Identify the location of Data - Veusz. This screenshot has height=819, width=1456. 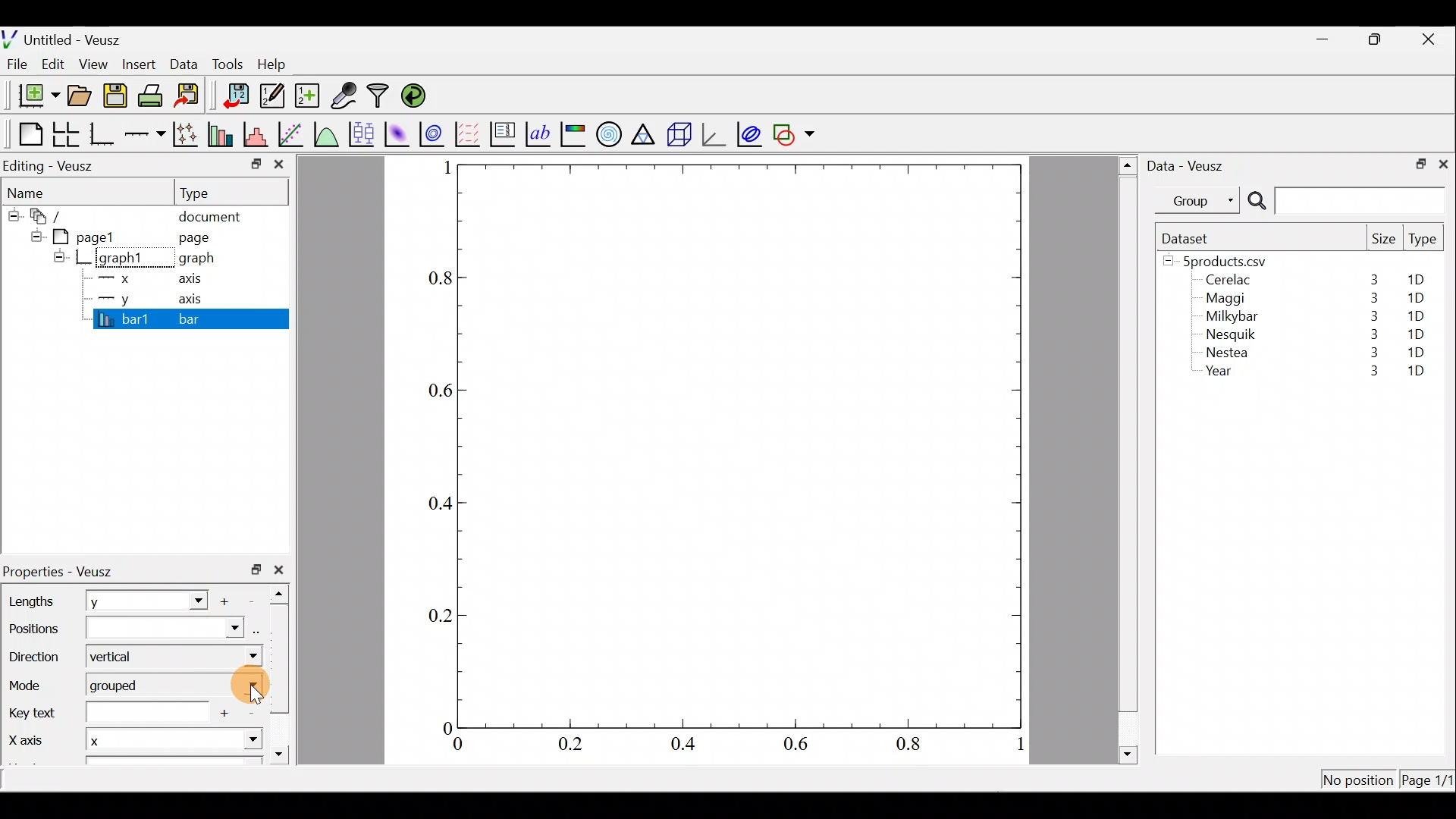
(1189, 164).